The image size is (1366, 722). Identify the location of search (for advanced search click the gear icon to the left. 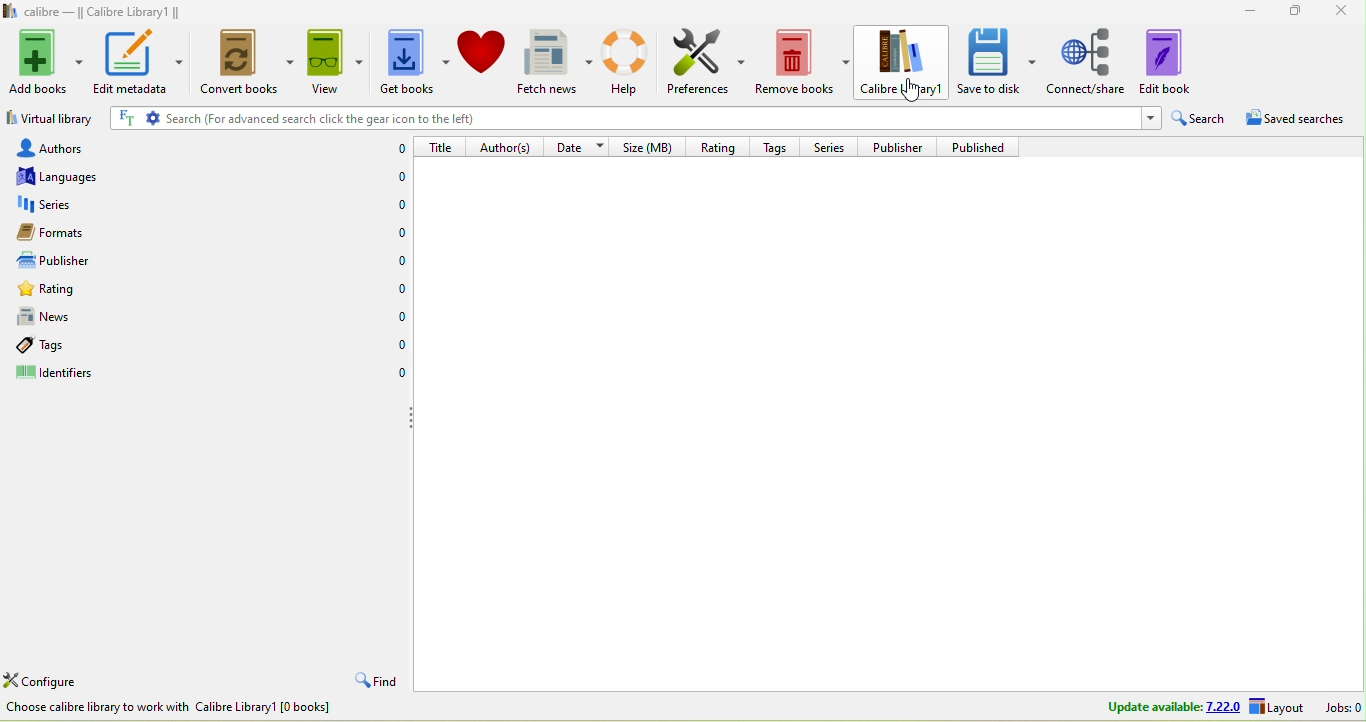
(631, 120).